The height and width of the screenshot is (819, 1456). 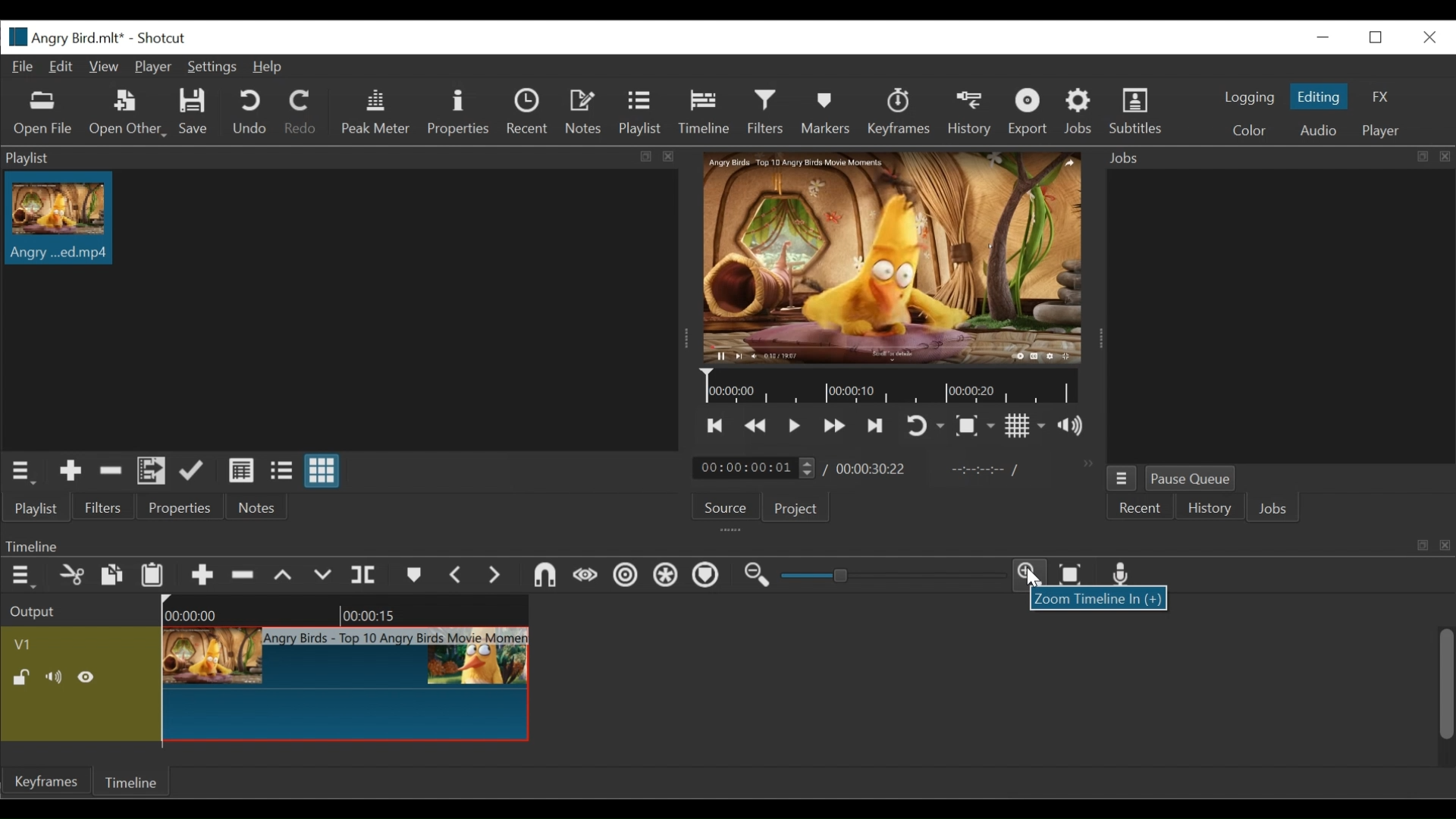 What do you see at coordinates (1445, 684) in the screenshot?
I see `Vertical Scroll bar` at bounding box center [1445, 684].